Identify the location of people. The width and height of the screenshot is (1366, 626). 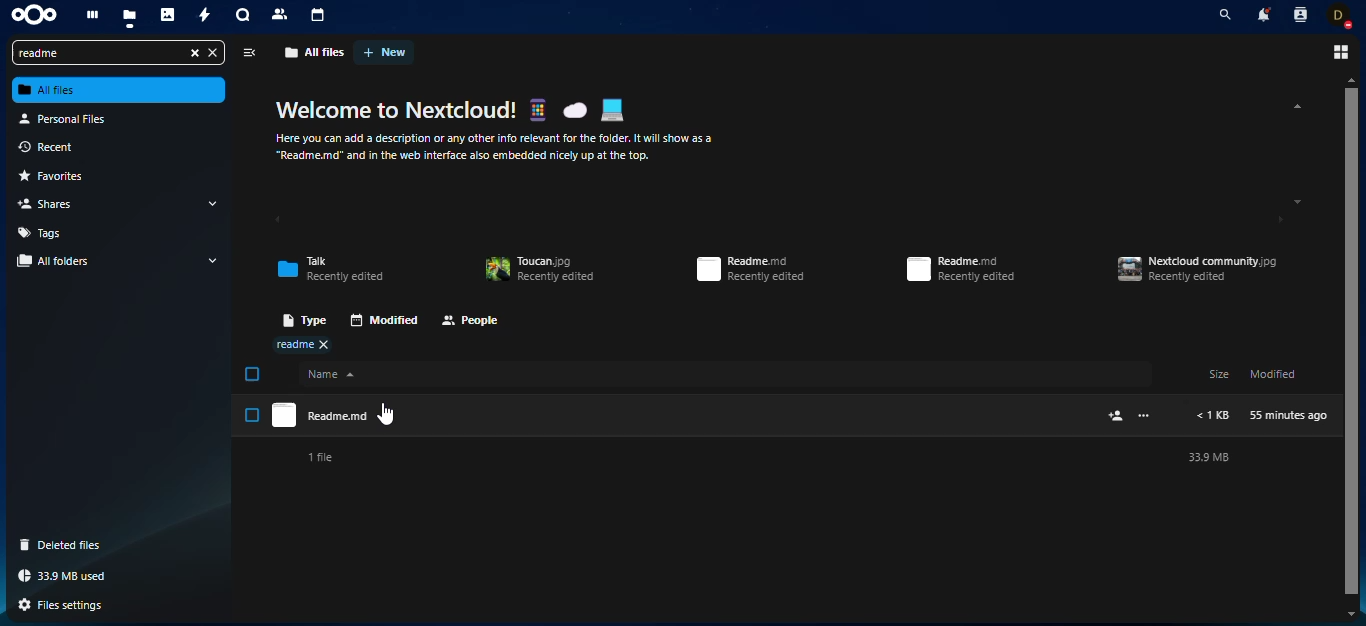
(471, 322).